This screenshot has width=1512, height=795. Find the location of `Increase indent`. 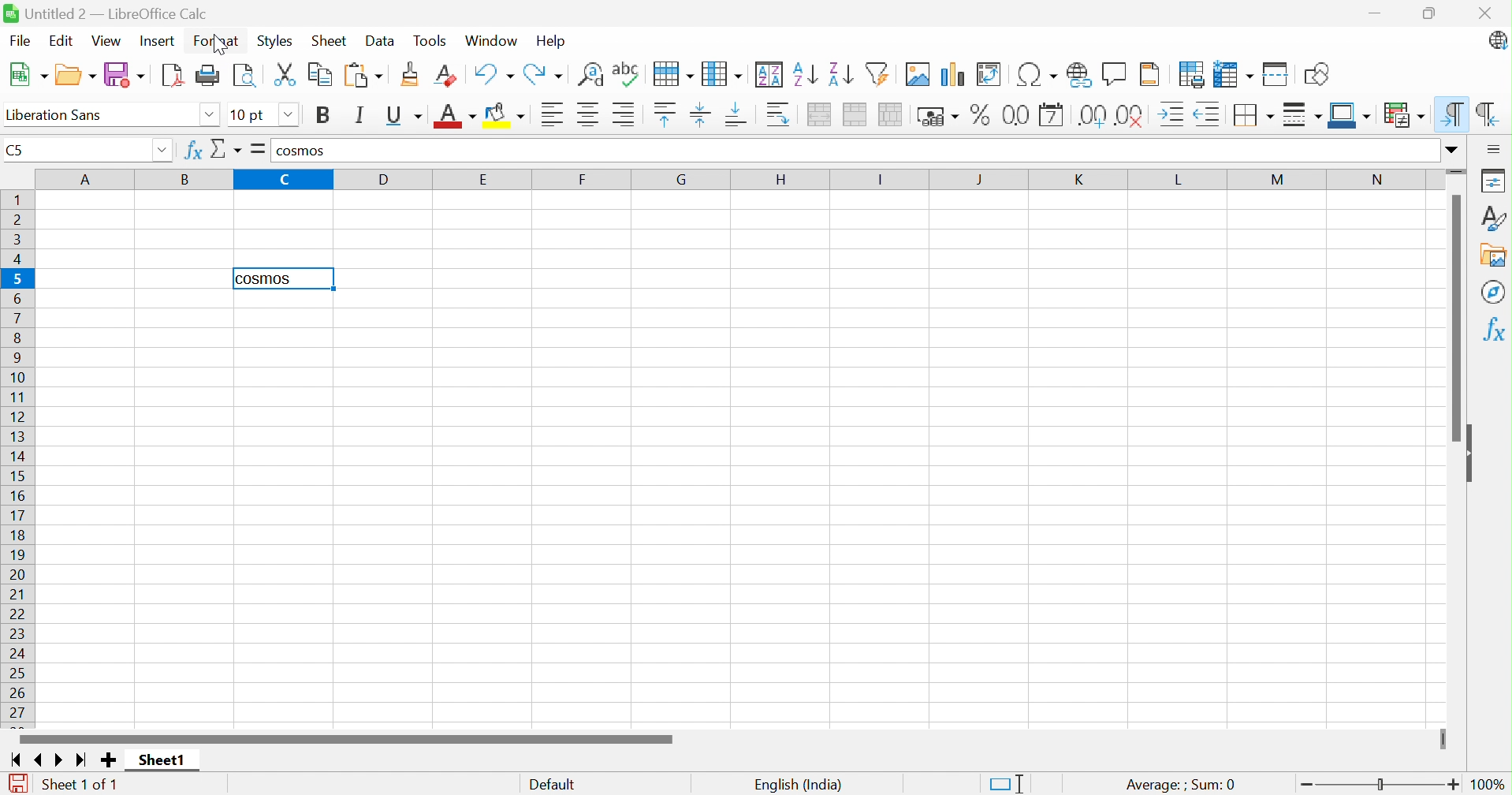

Increase indent is located at coordinates (1169, 113).